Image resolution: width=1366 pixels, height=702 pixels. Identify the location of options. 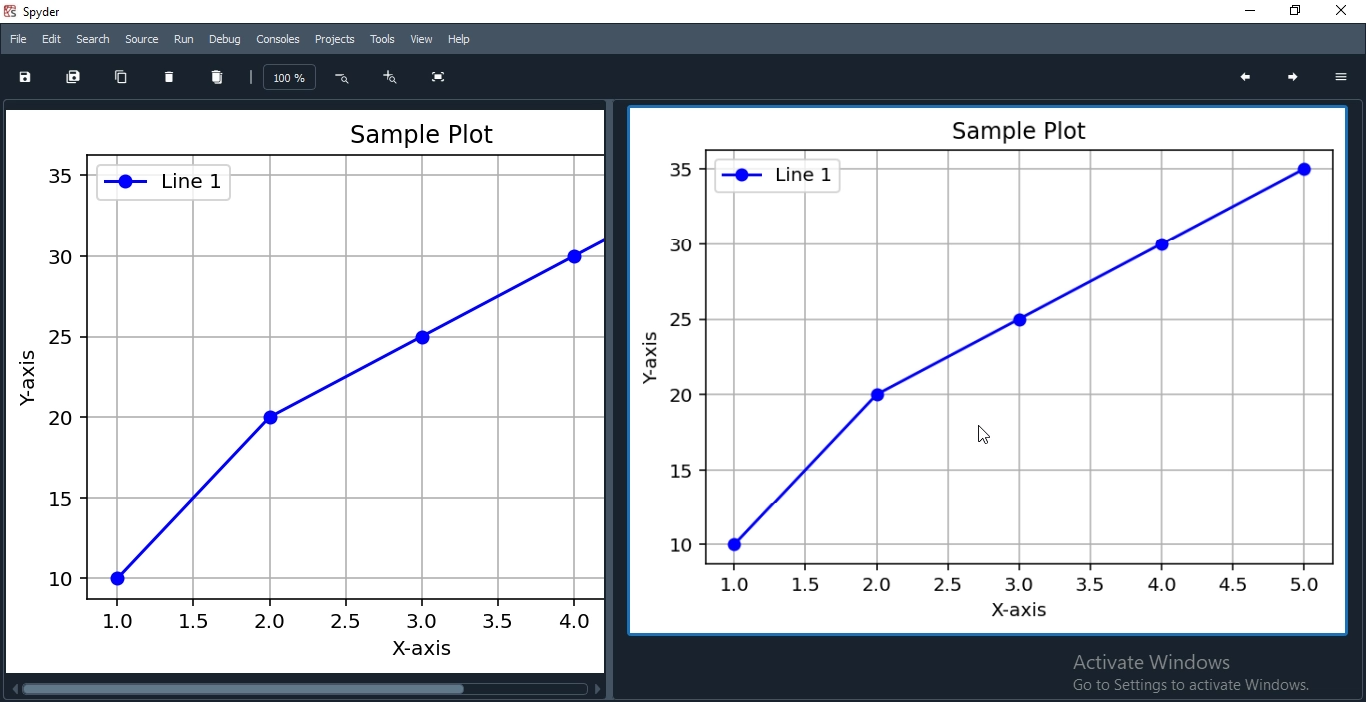
(1340, 75).